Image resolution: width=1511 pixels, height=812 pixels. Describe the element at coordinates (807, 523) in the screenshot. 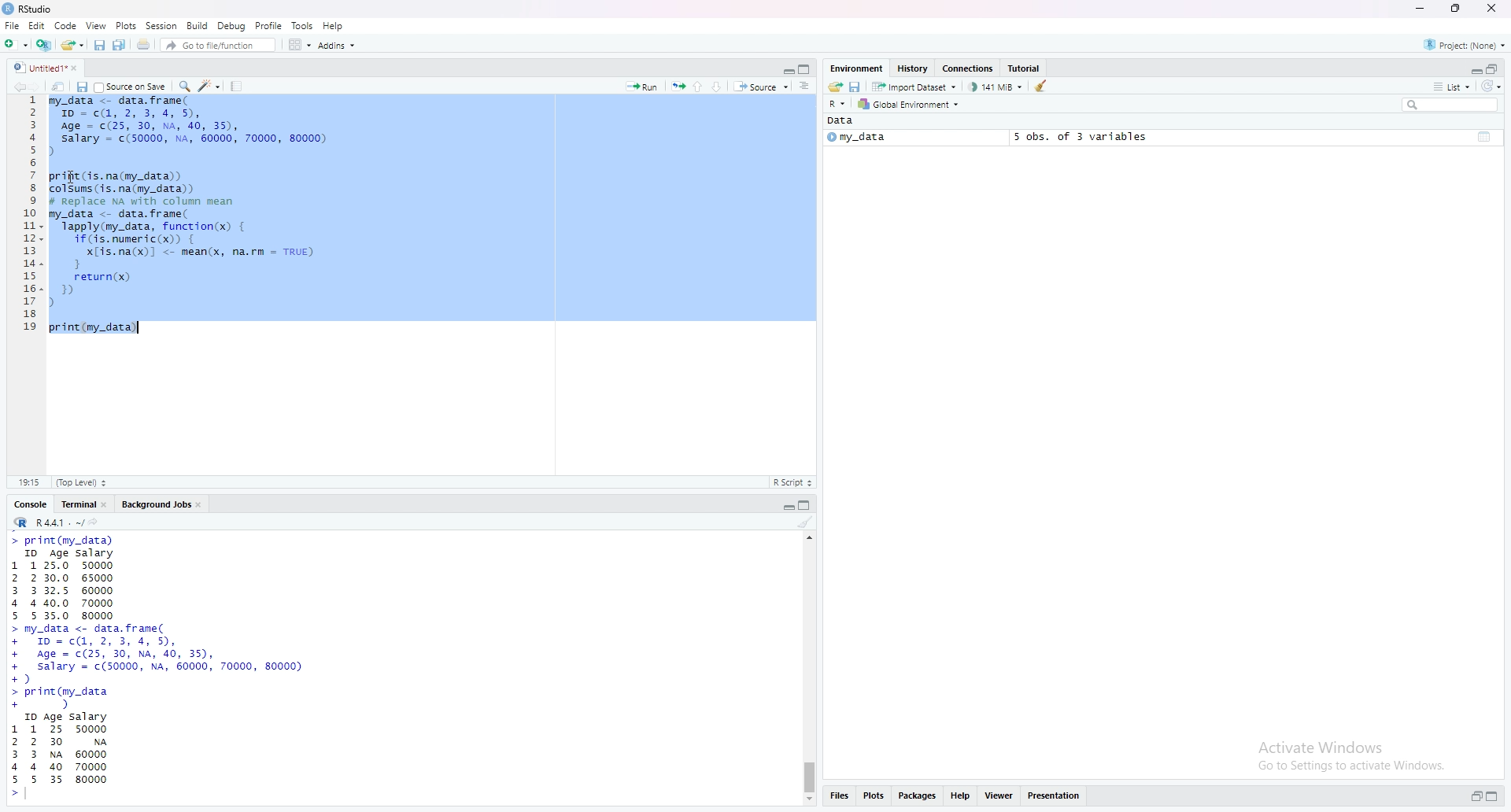

I see `clear console` at that location.